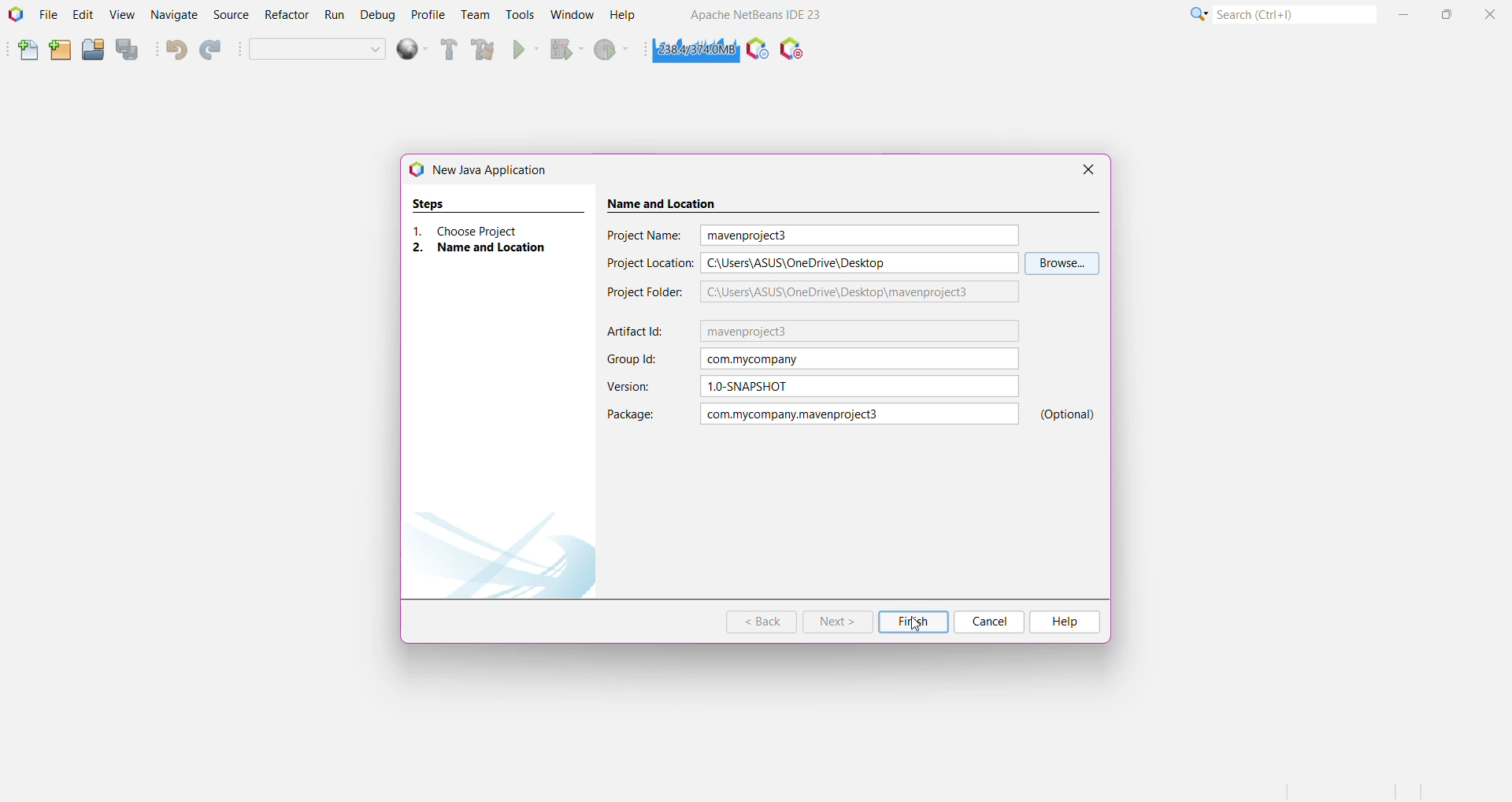  What do you see at coordinates (82, 16) in the screenshot?
I see `Edit` at bounding box center [82, 16].